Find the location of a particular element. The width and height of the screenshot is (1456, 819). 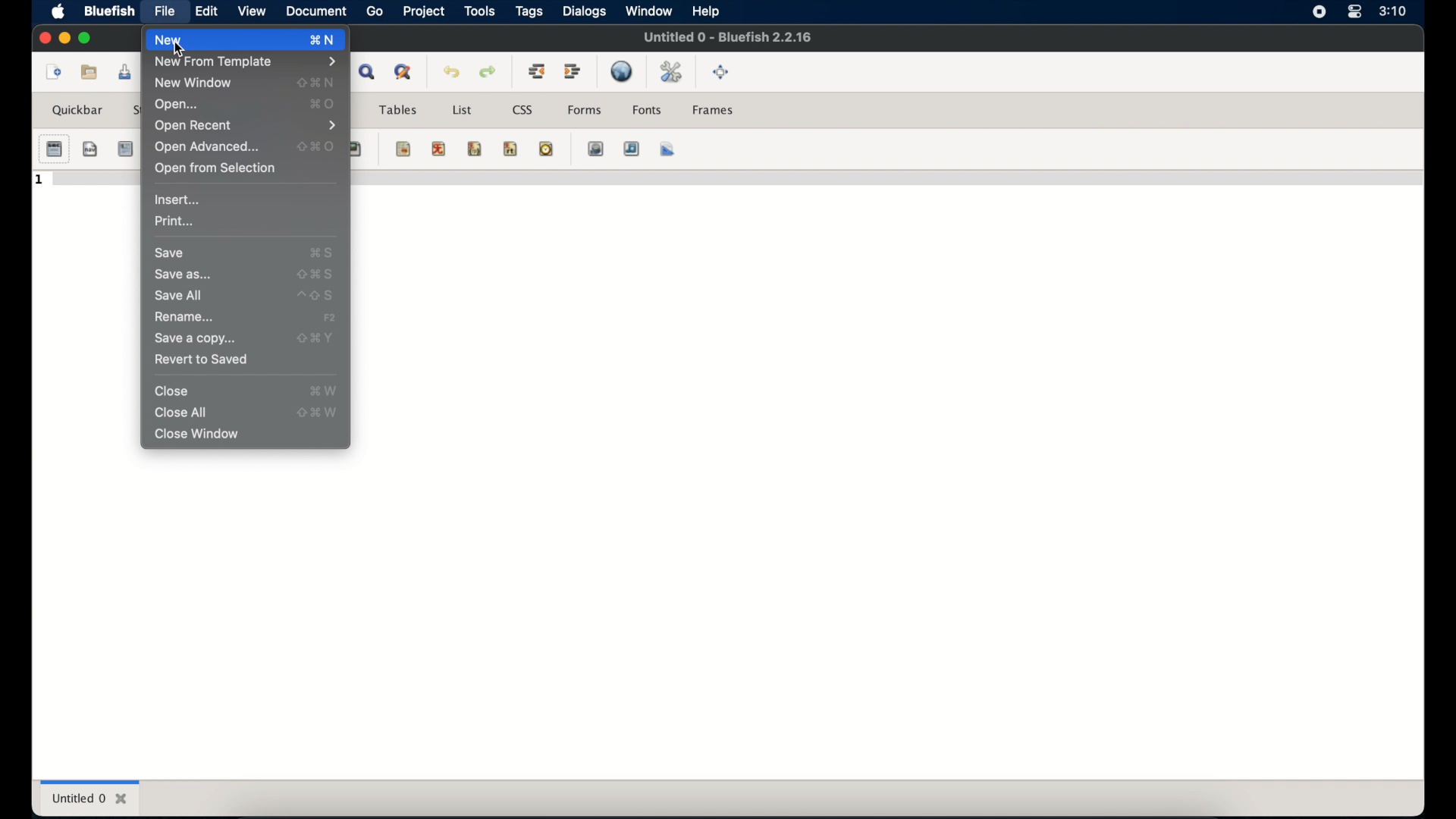

figure is located at coordinates (355, 149).